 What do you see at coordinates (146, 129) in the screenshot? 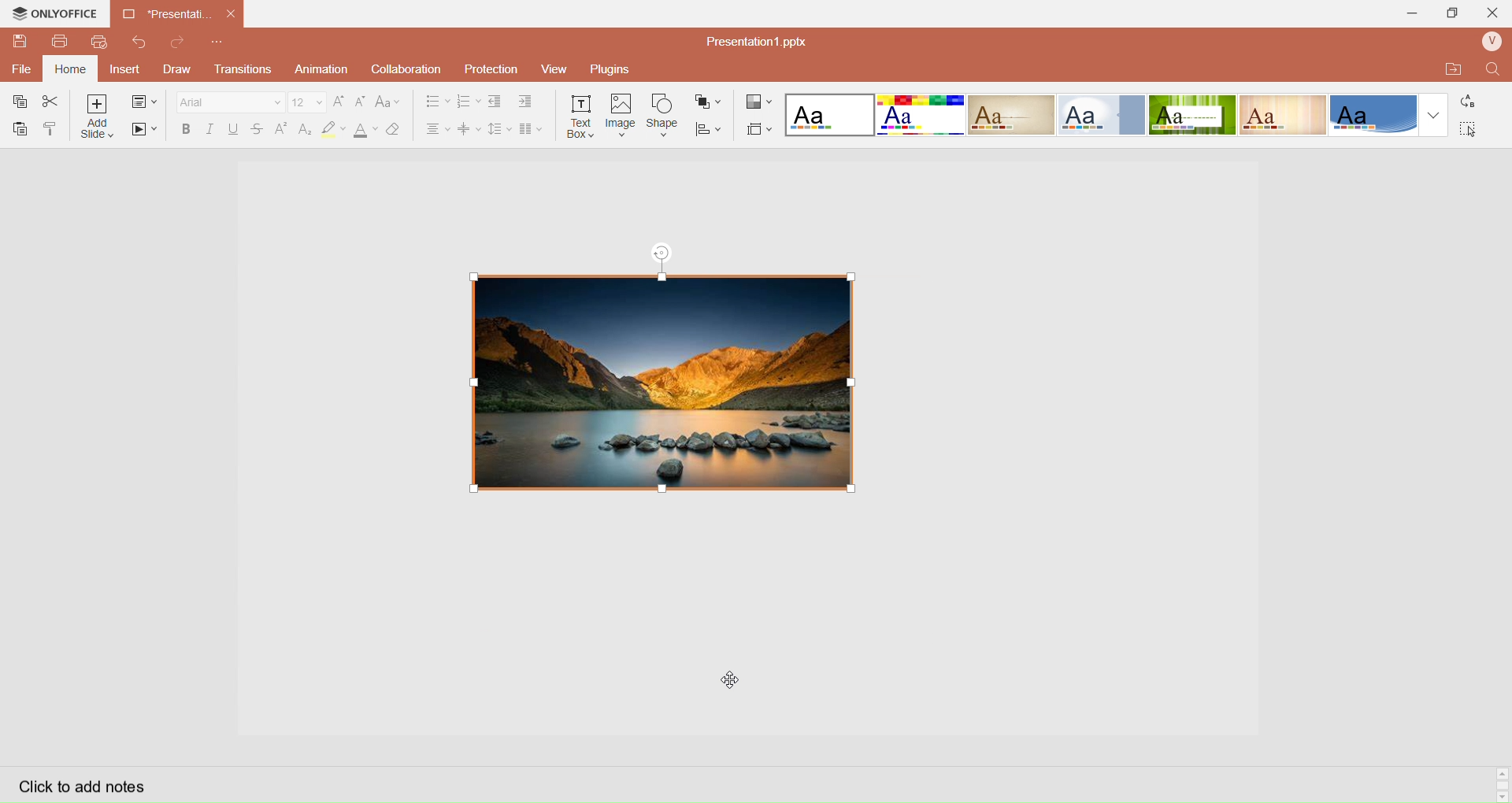
I see `Start SlideShow` at bounding box center [146, 129].